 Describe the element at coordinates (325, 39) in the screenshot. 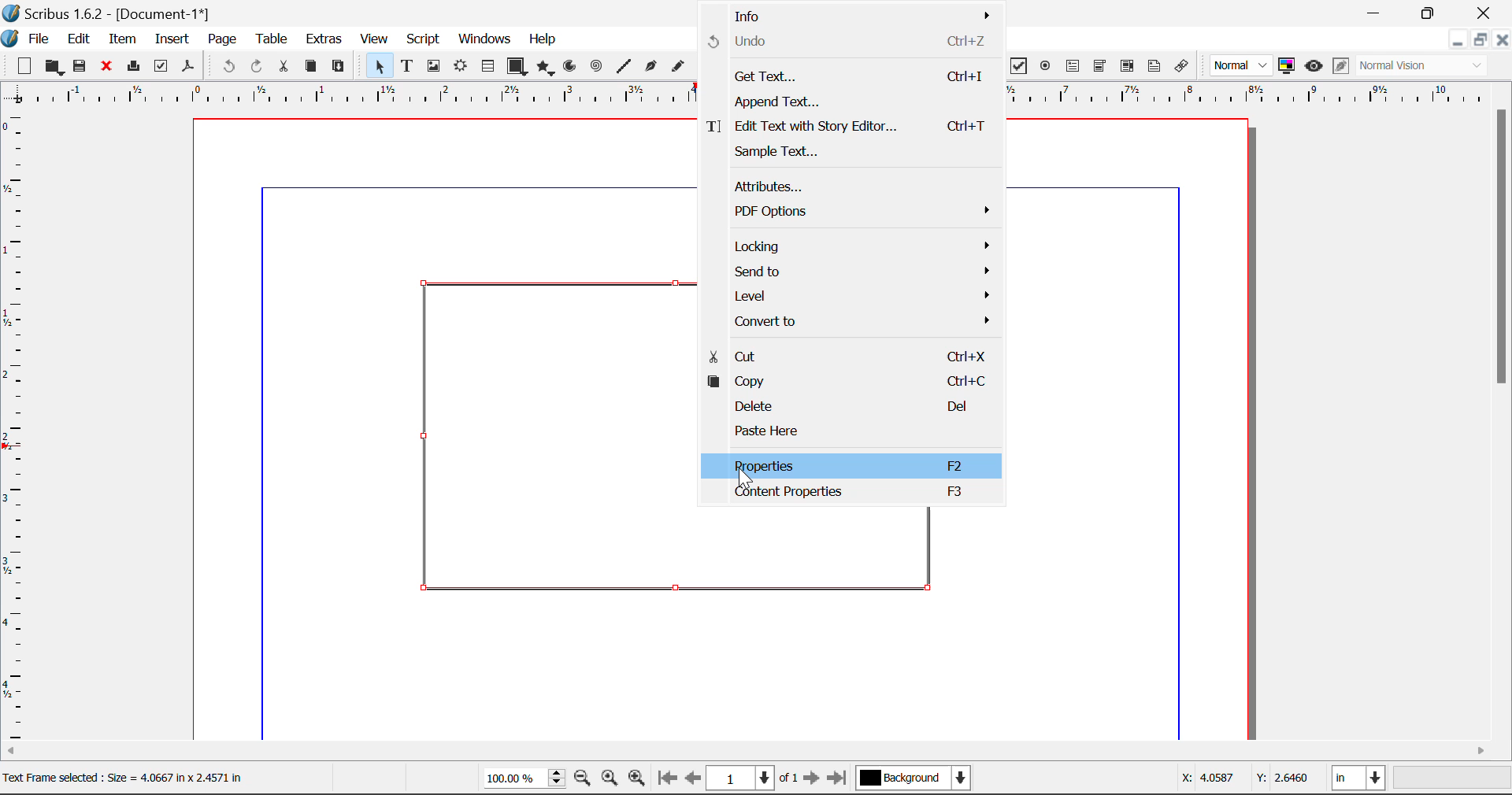

I see `Extras` at that location.